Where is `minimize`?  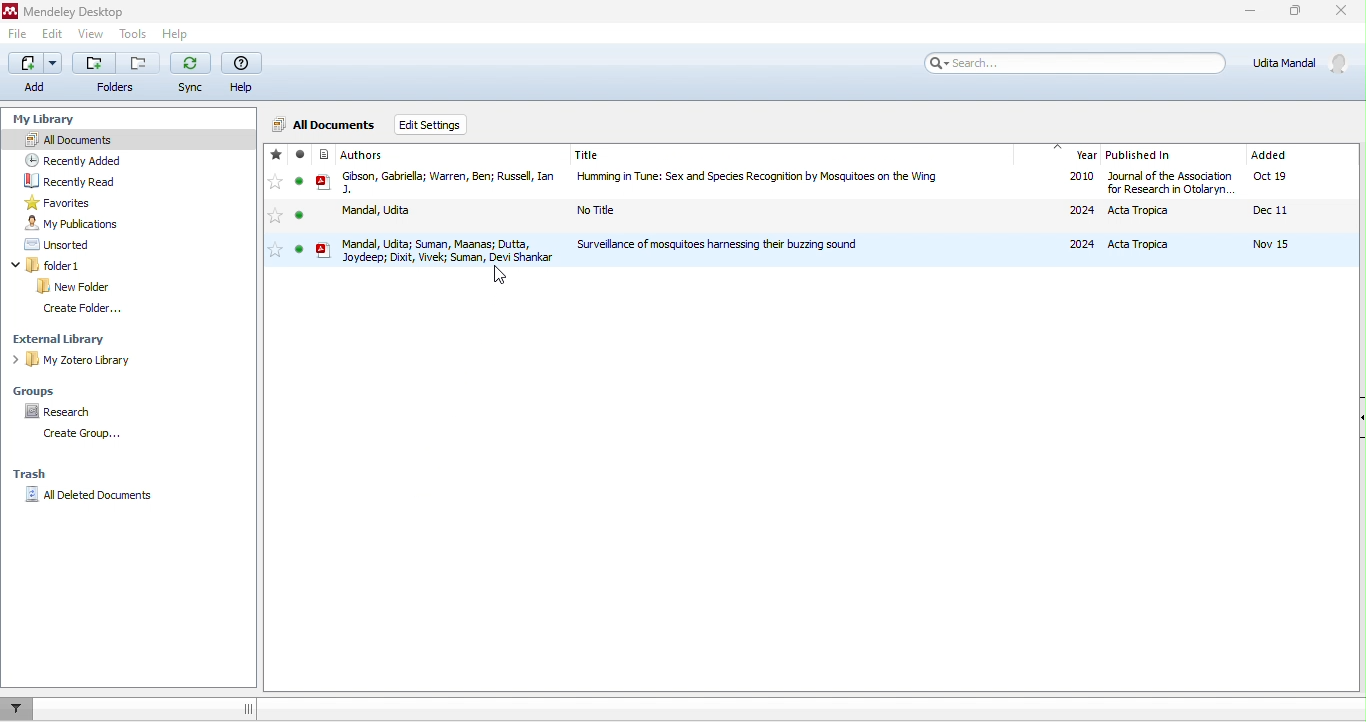 minimize is located at coordinates (1252, 12).